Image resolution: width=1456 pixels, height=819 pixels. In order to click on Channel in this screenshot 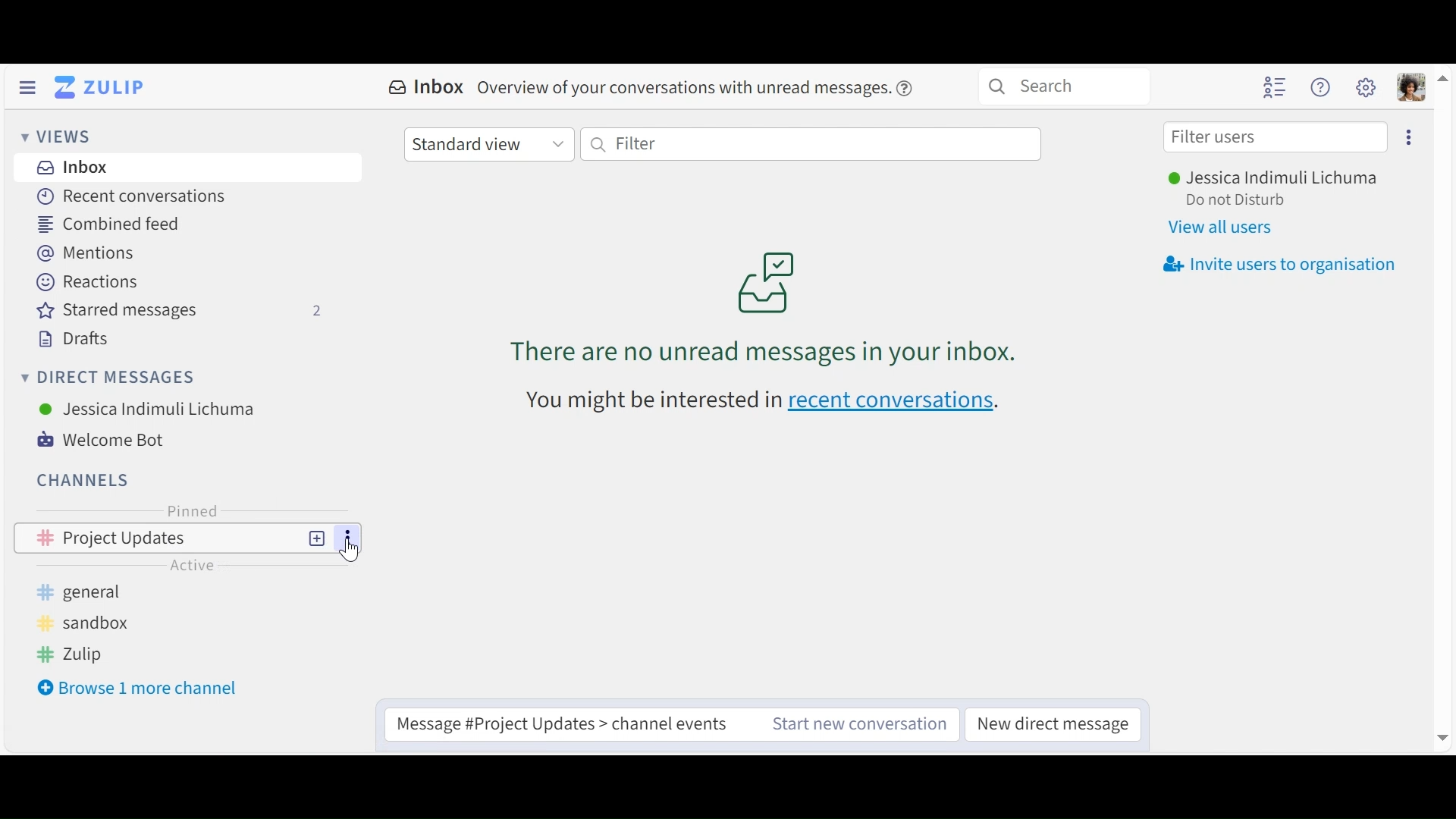, I will do `click(85, 480)`.